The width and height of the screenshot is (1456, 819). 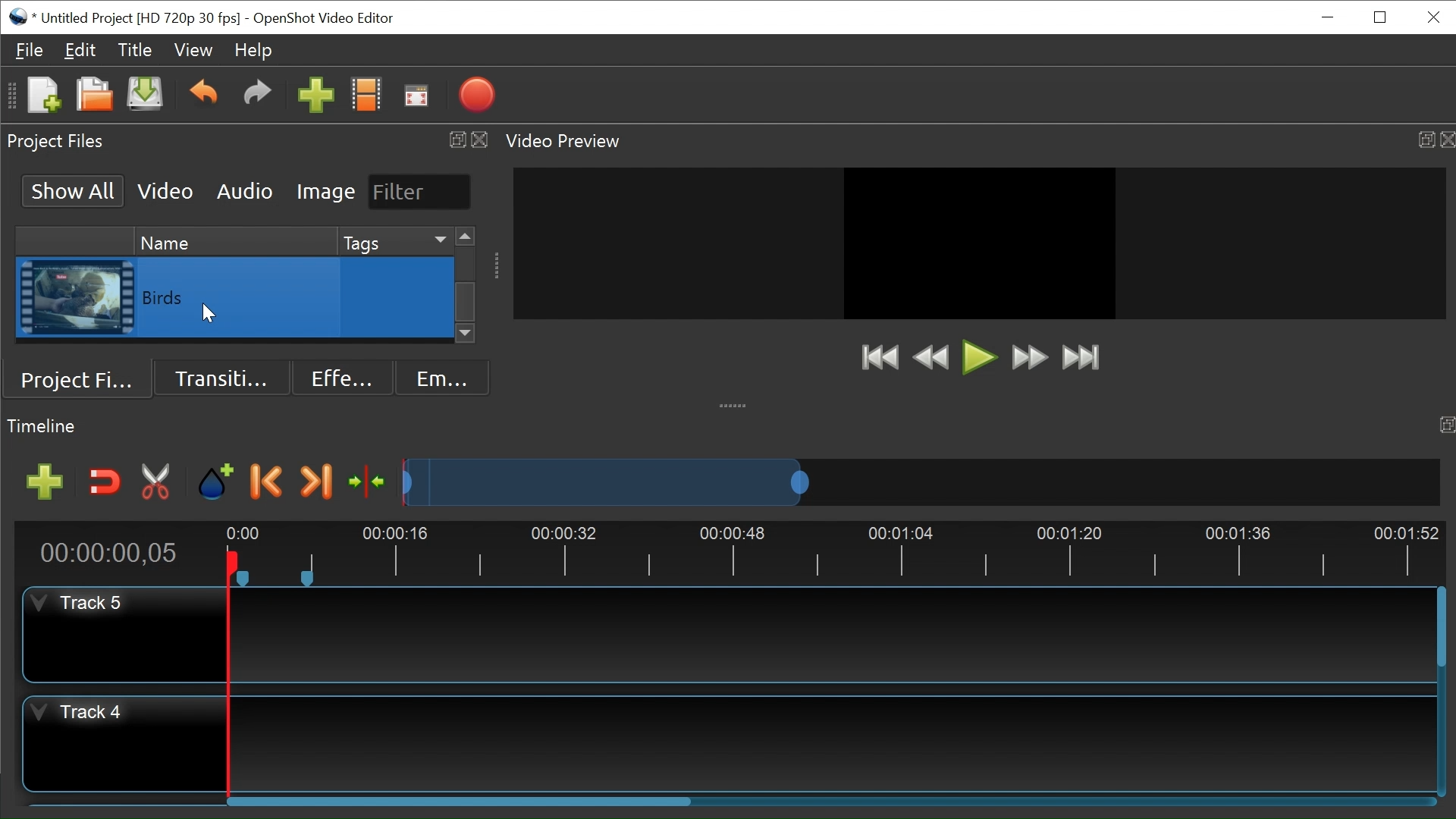 What do you see at coordinates (979, 357) in the screenshot?
I see `Play` at bounding box center [979, 357].